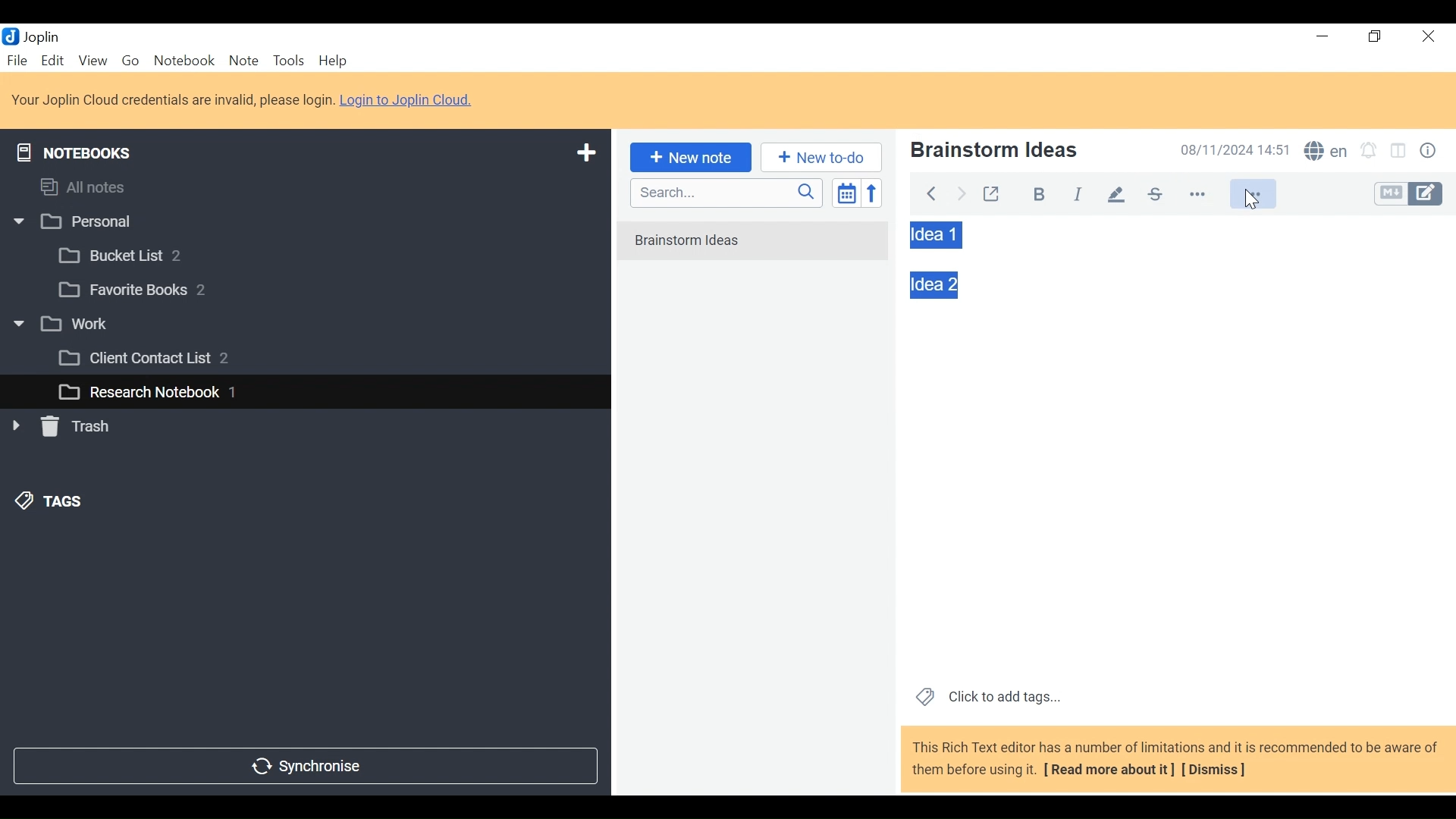 Image resolution: width=1456 pixels, height=819 pixels. What do you see at coordinates (875, 193) in the screenshot?
I see `Reverse Sort order` at bounding box center [875, 193].